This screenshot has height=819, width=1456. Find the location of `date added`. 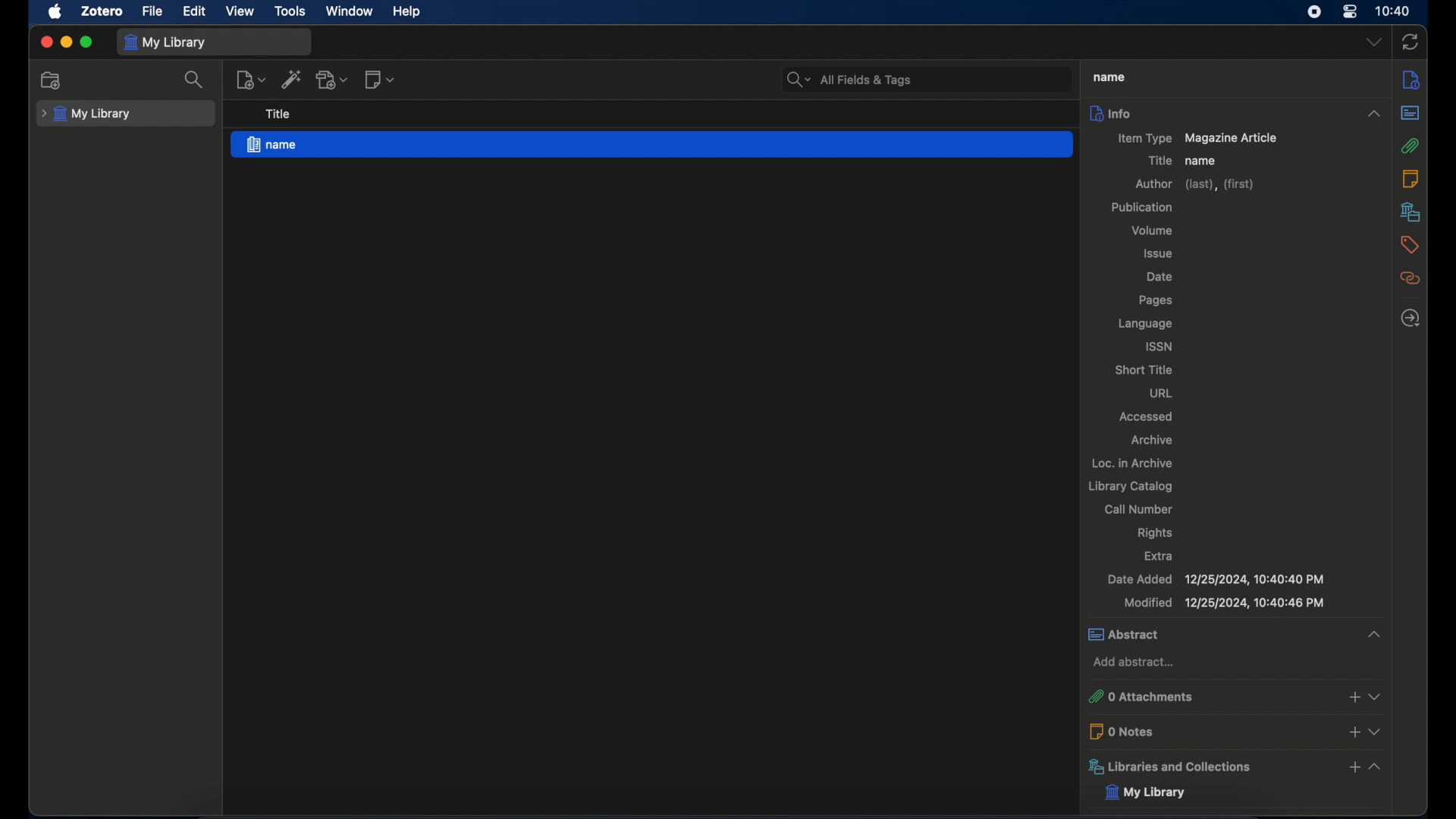

date added is located at coordinates (1216, 579).